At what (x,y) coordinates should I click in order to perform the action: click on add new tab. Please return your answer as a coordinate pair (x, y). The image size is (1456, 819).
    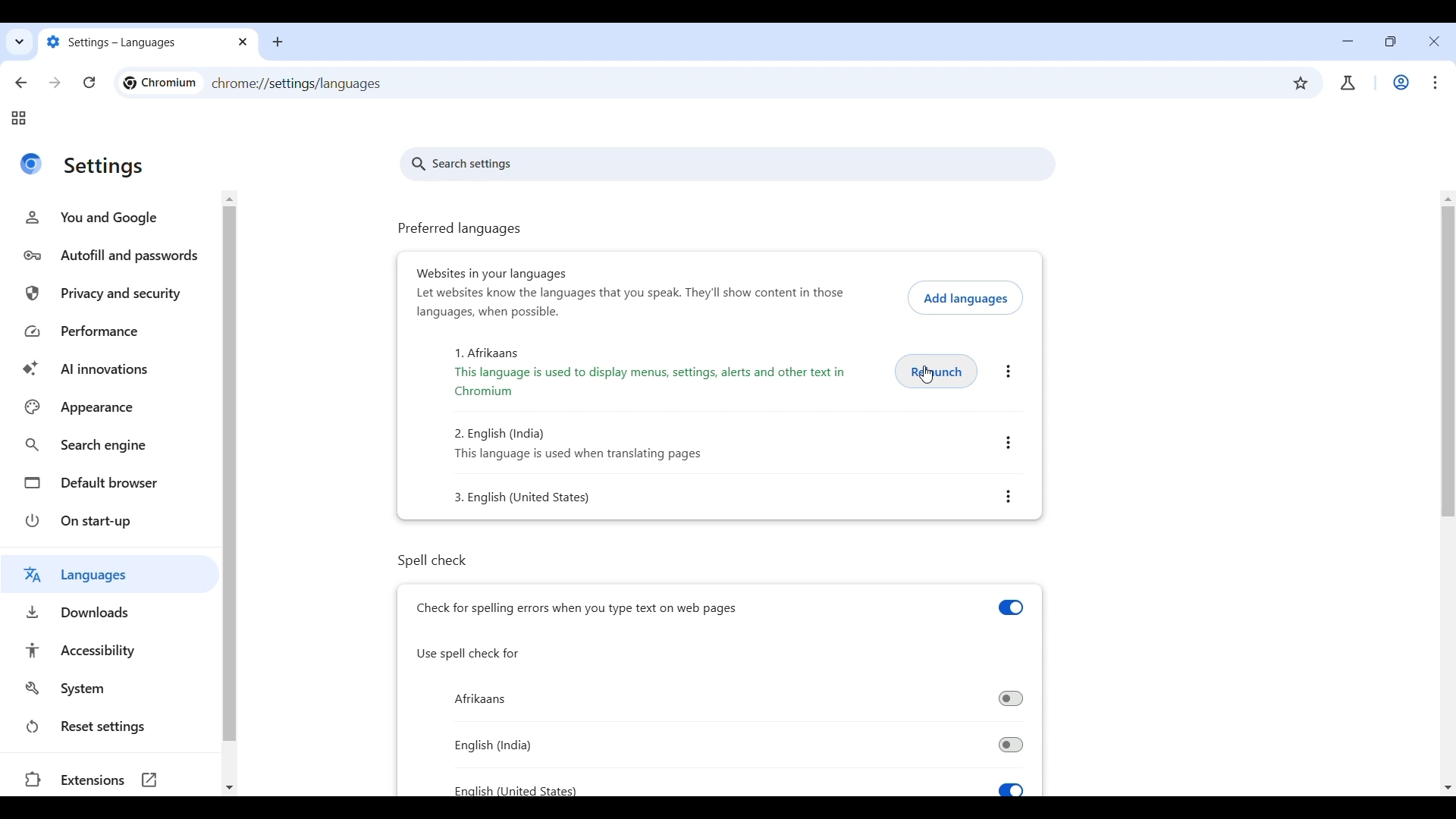
    Looking at the image, I should click on (277, 40).